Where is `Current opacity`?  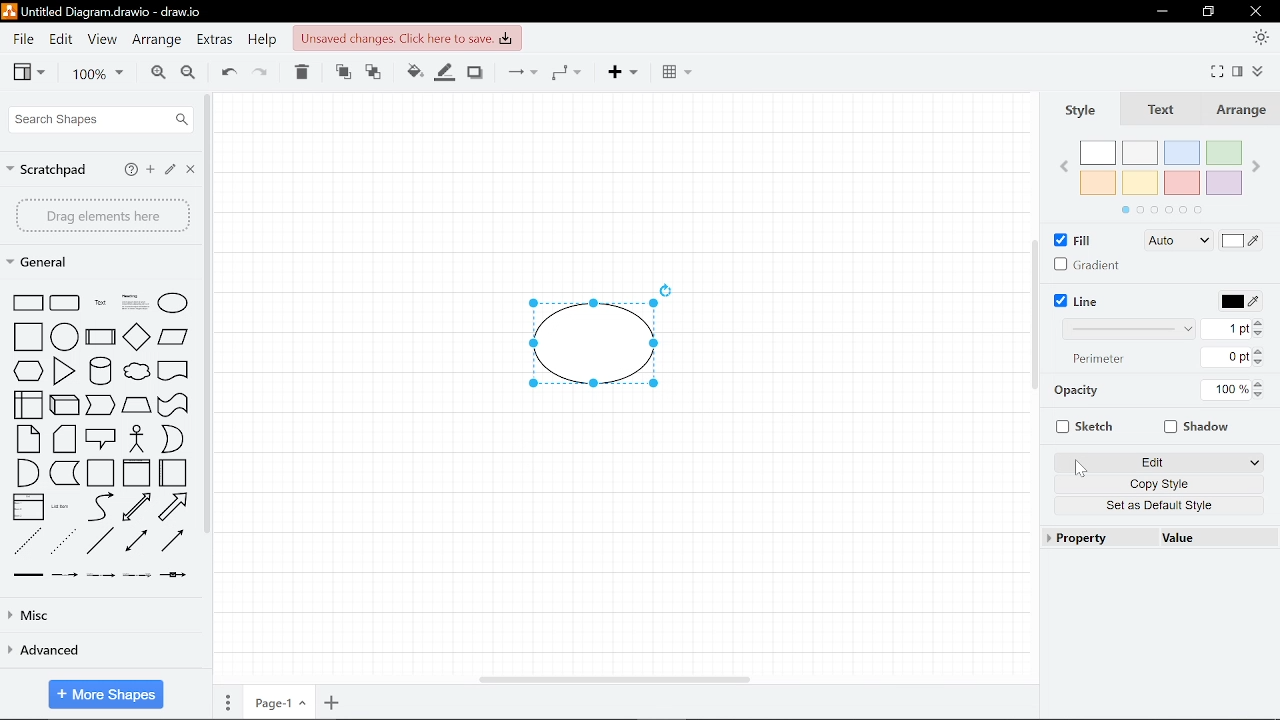 Current opacity is located at coordinates (1225, 391).